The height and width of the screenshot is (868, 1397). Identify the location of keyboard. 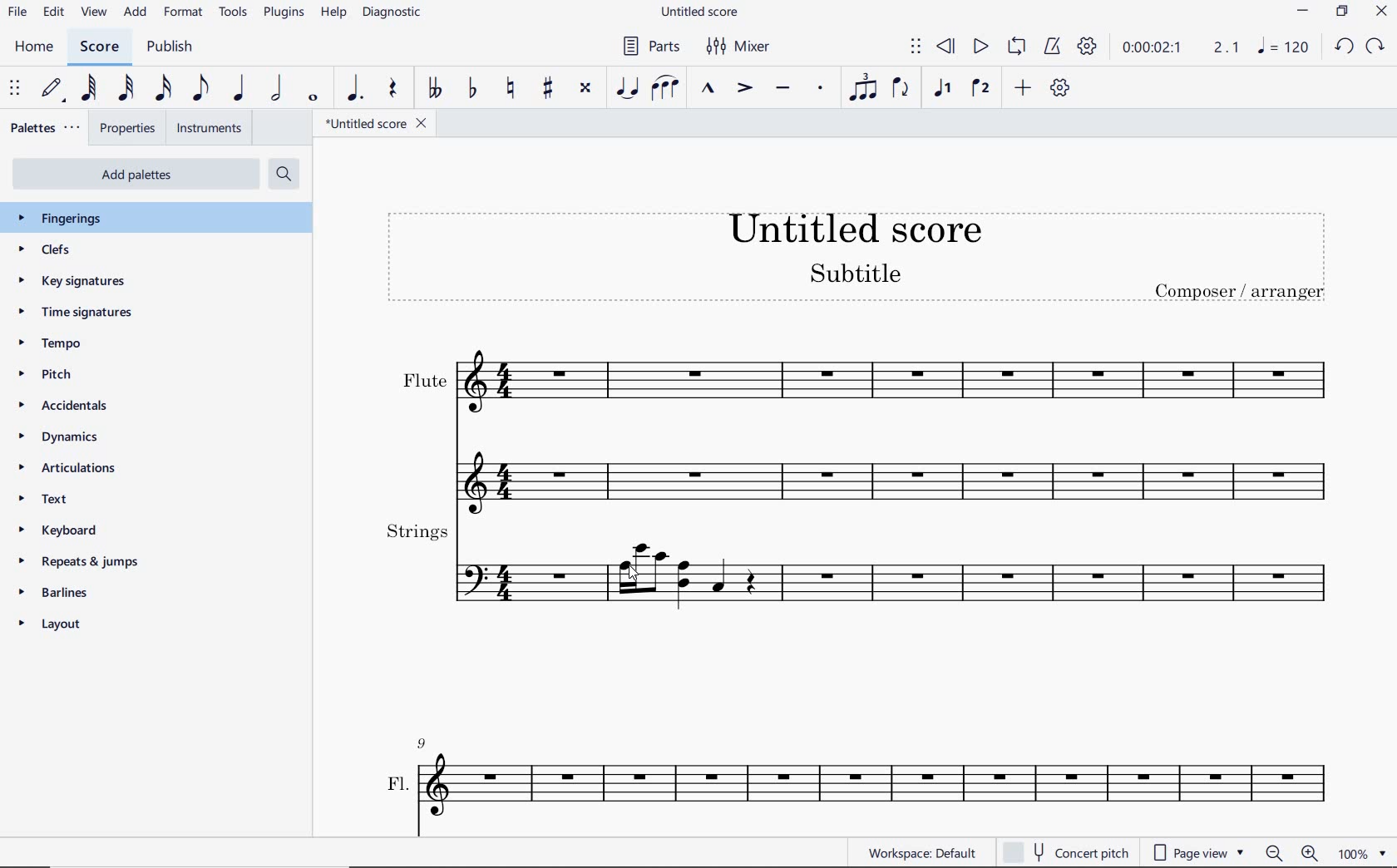
(72, 531).